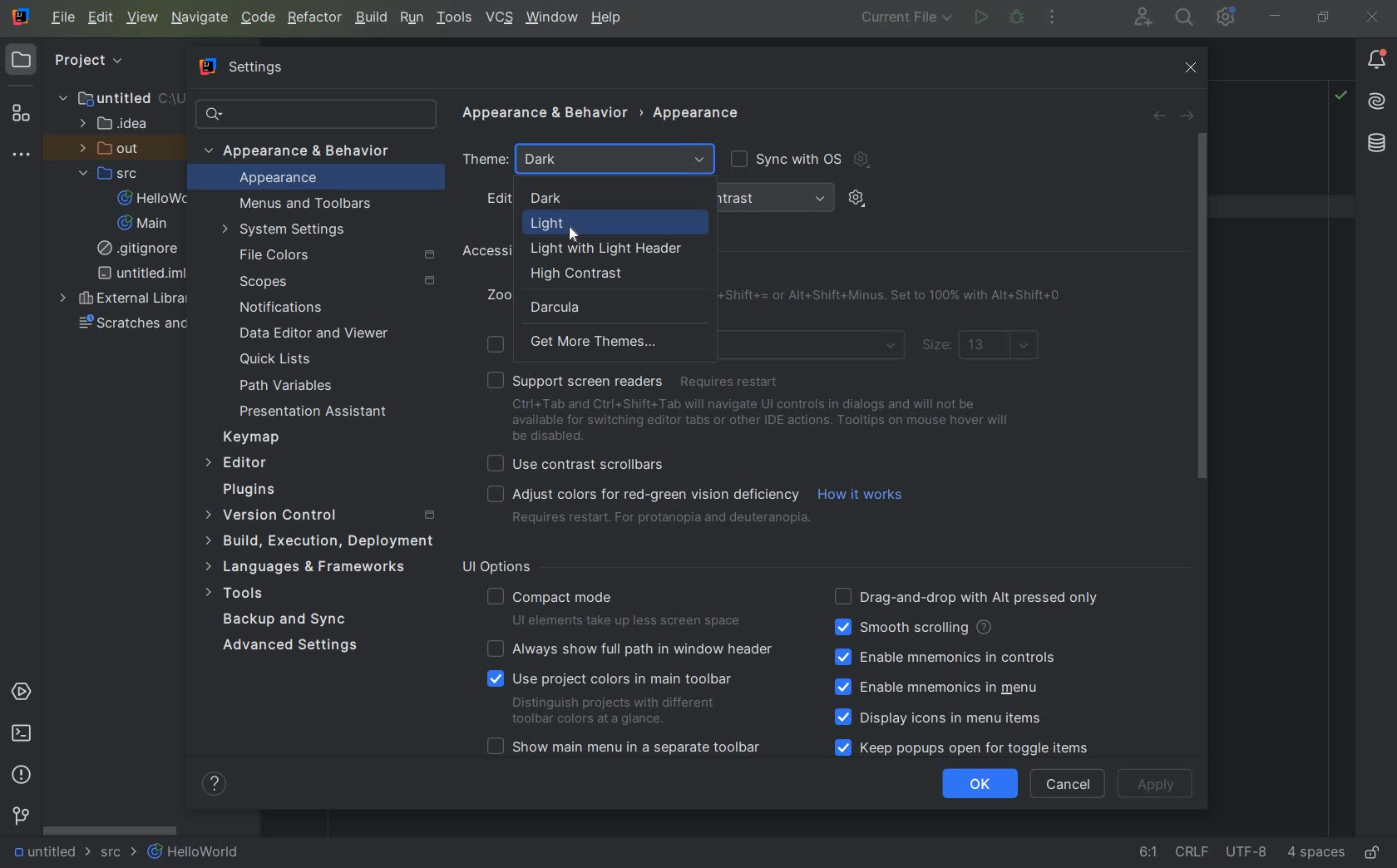  Describe the element at coordinates (945, 657) in the screenshot. I see `enable mnemonics in controls(checked)` at that location.